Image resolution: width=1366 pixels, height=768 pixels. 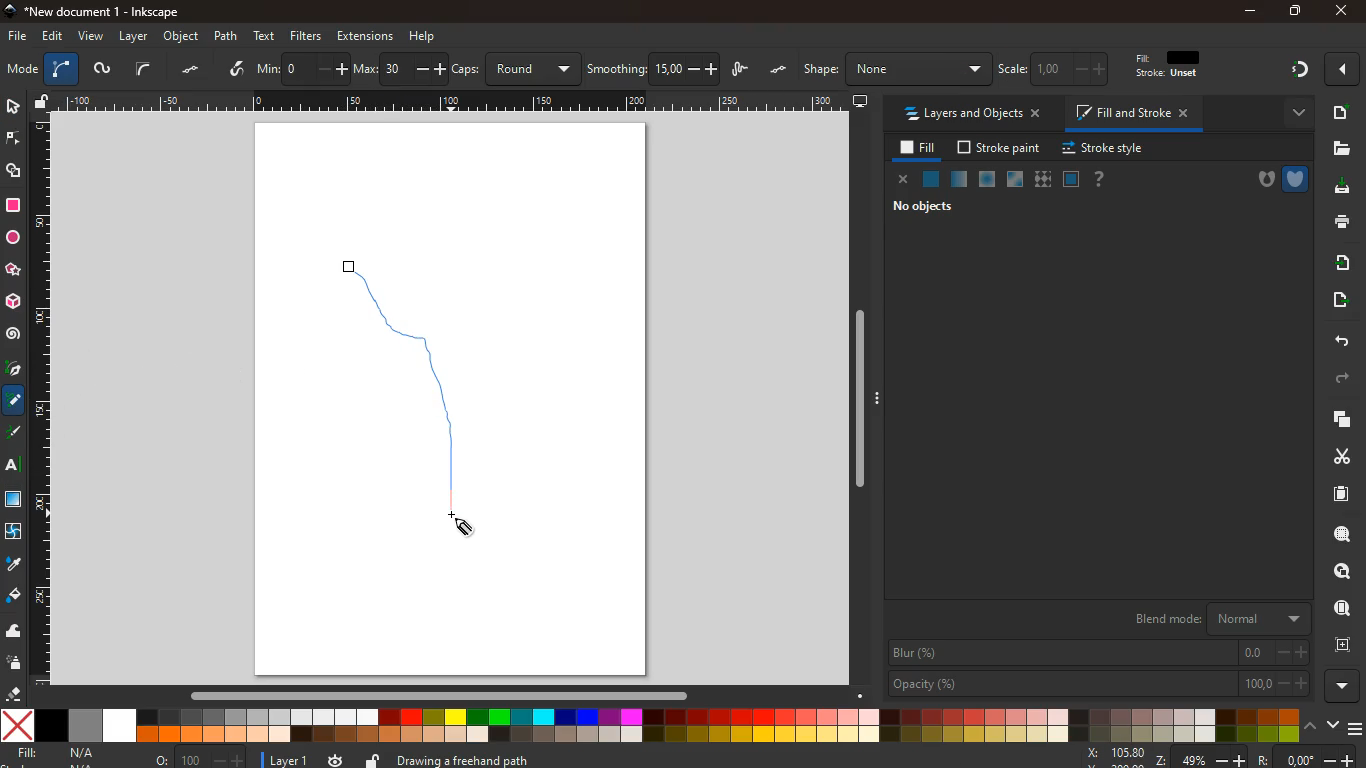 What do you see at coordinates (1336, 340) in the screenshot?
I see `back` at bounding box center [1336, 340].